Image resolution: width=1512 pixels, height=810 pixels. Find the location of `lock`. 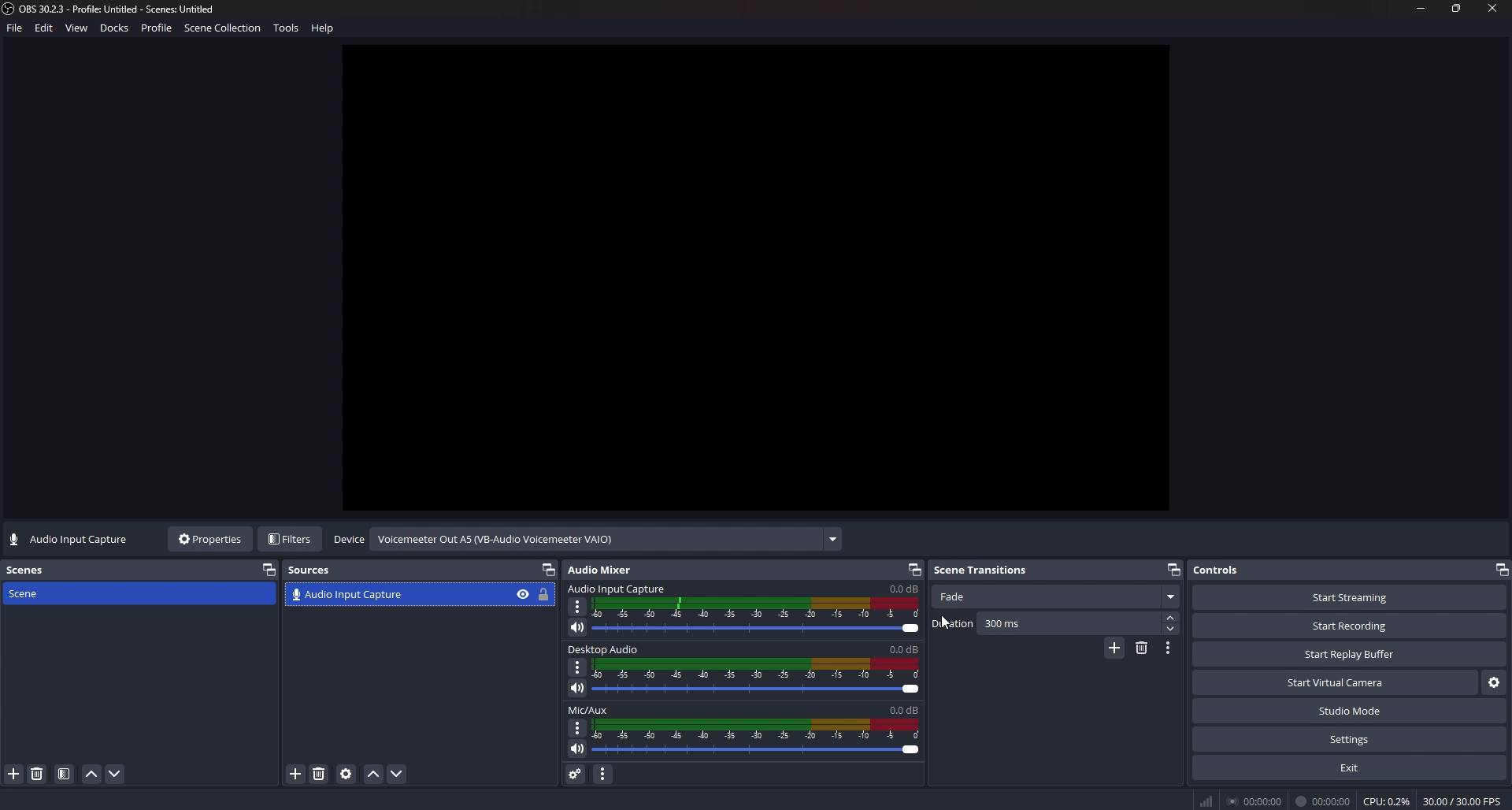

lock is located at coordinates (547, 593).